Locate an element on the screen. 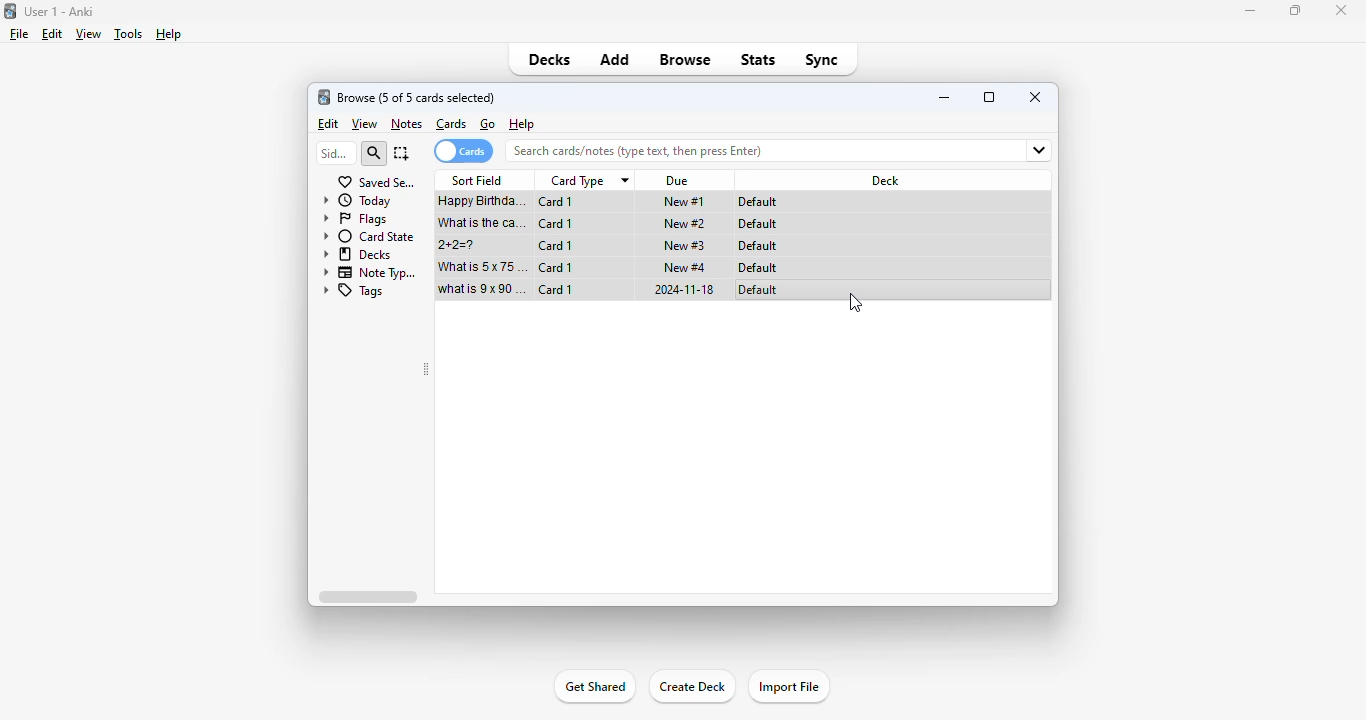 The width and height of the screenshot is (1366, 720). tags is located at coordinates (354, 291).